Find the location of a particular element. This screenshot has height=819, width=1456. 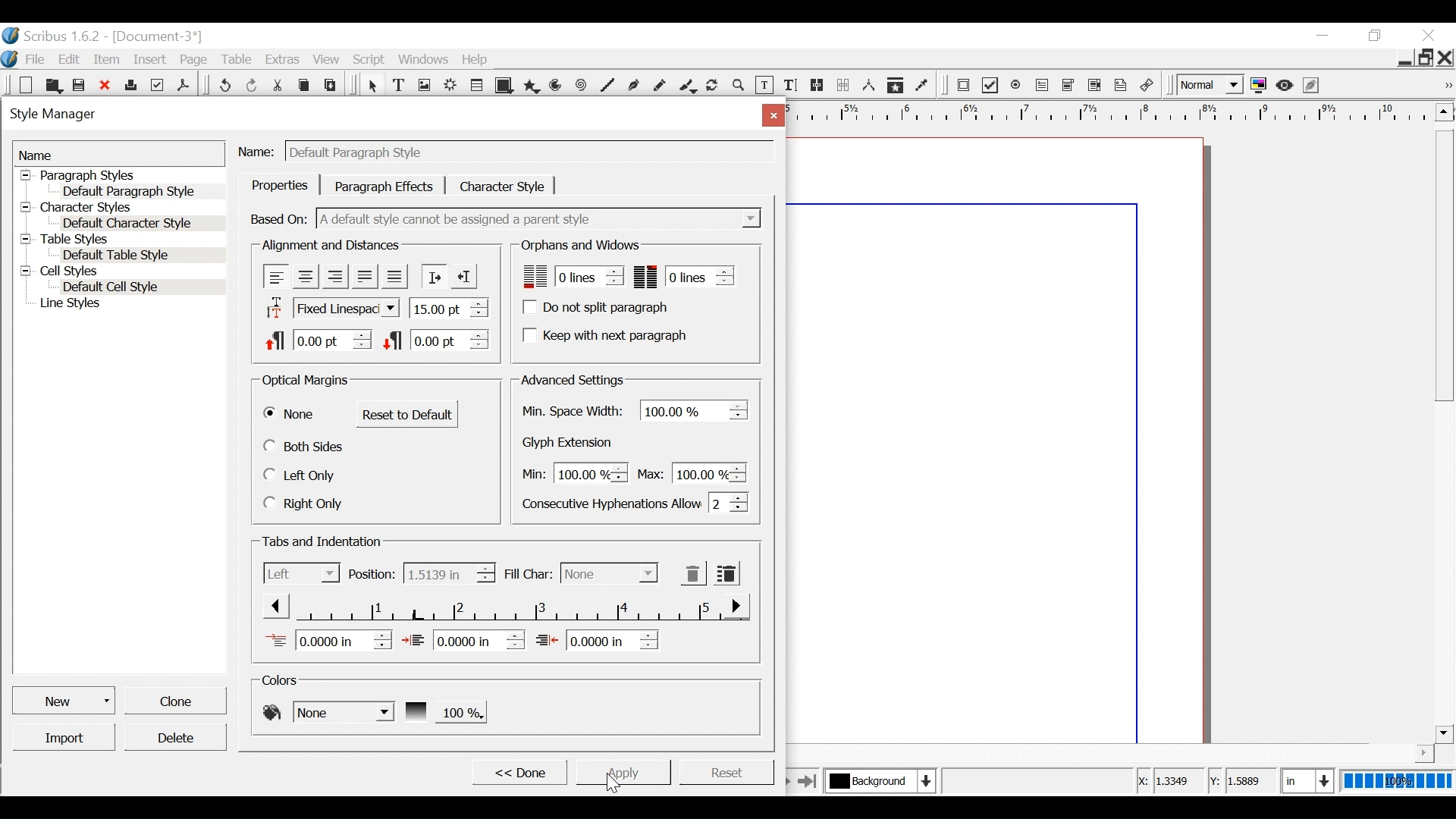

Measurements is located at coordinates (868, 86).